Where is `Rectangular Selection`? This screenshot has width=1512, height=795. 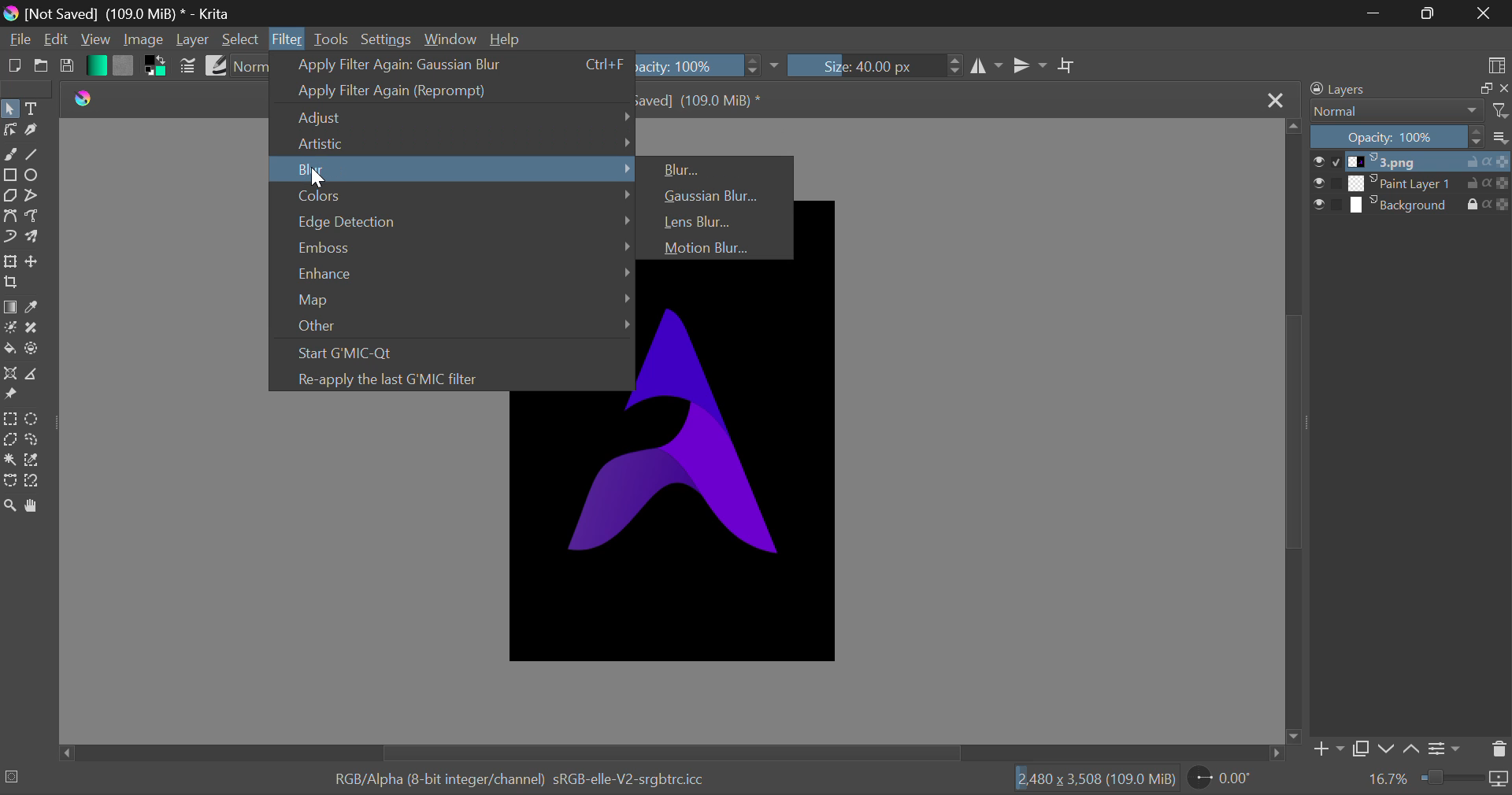 Rectangular Selection is located at coordinates (9, 419).